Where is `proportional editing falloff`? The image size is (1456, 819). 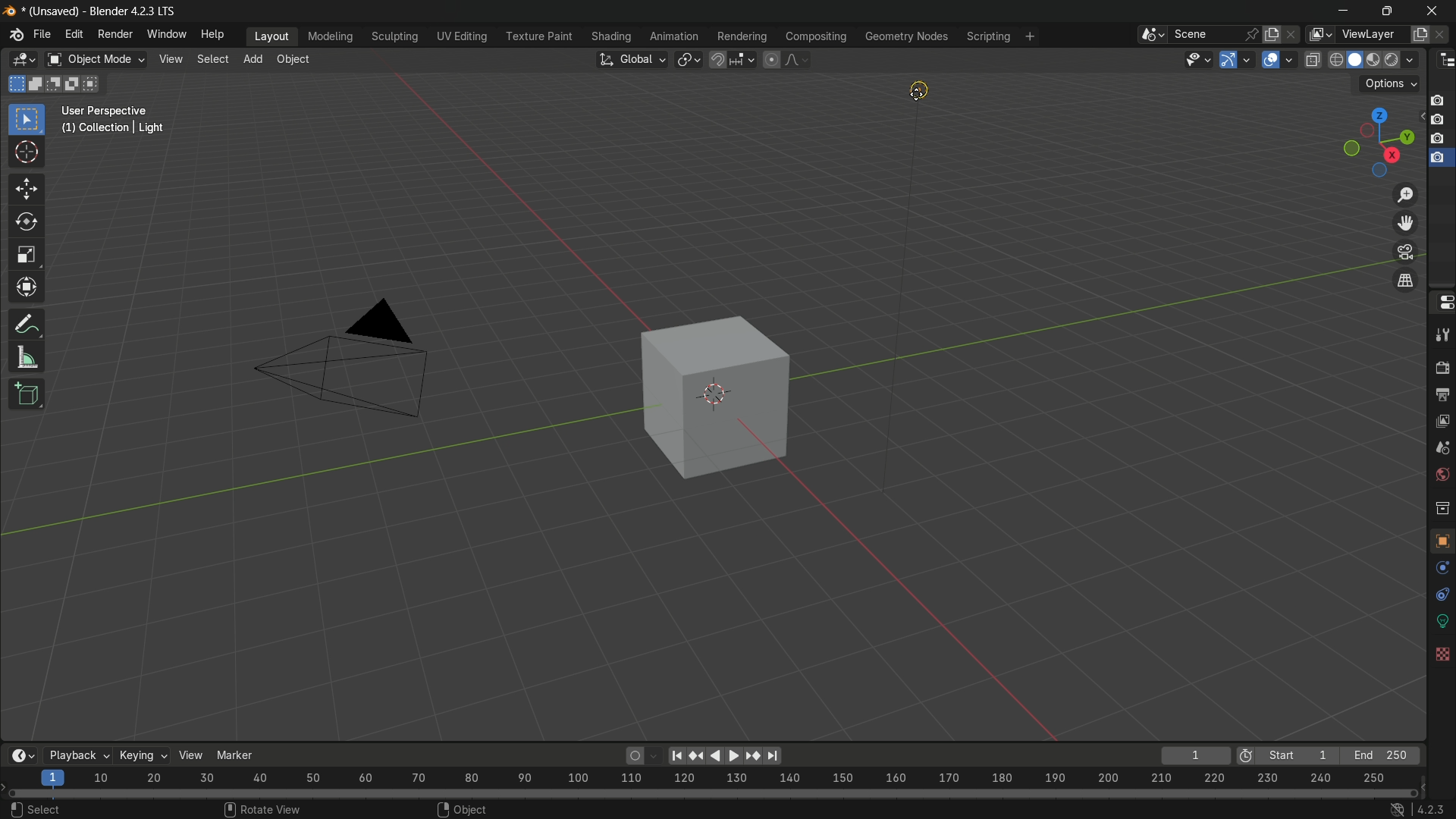
proportional editing falloff is located at coordinates (799, 59).